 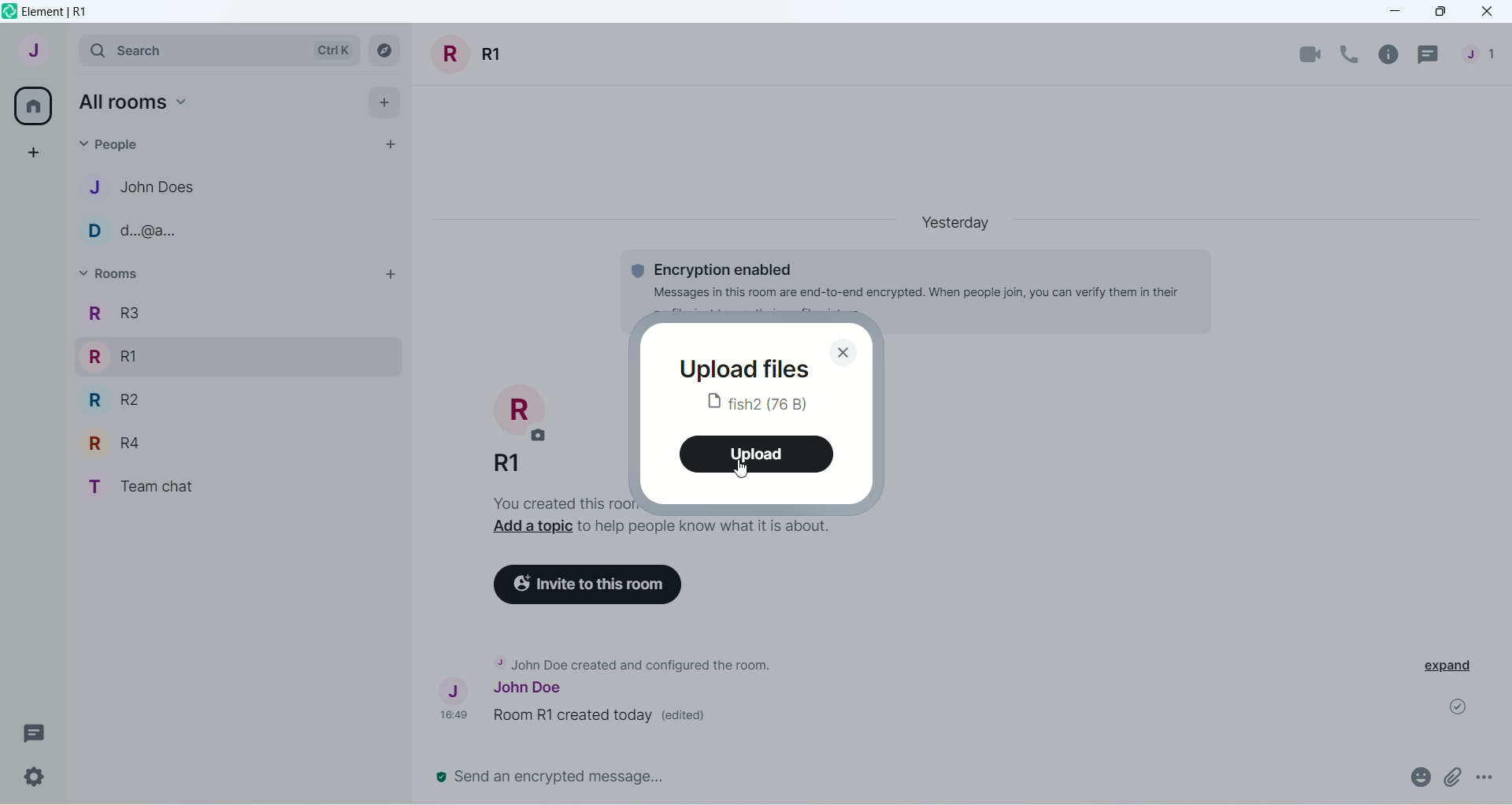 I want to click on options, so click(x=1492, y=783).